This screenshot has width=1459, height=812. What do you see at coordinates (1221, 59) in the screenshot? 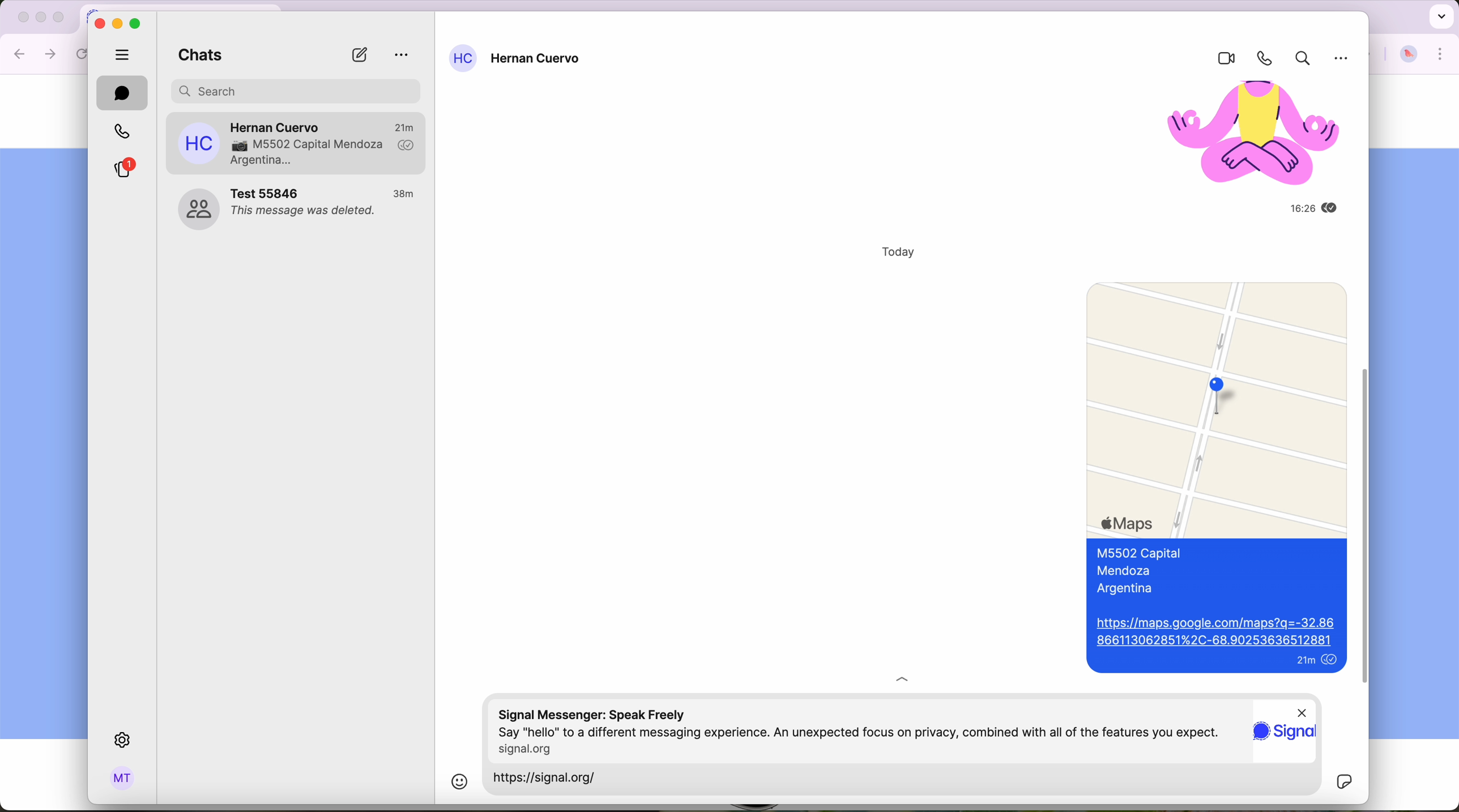
I see `video call` at bounding box center [1221, 59].